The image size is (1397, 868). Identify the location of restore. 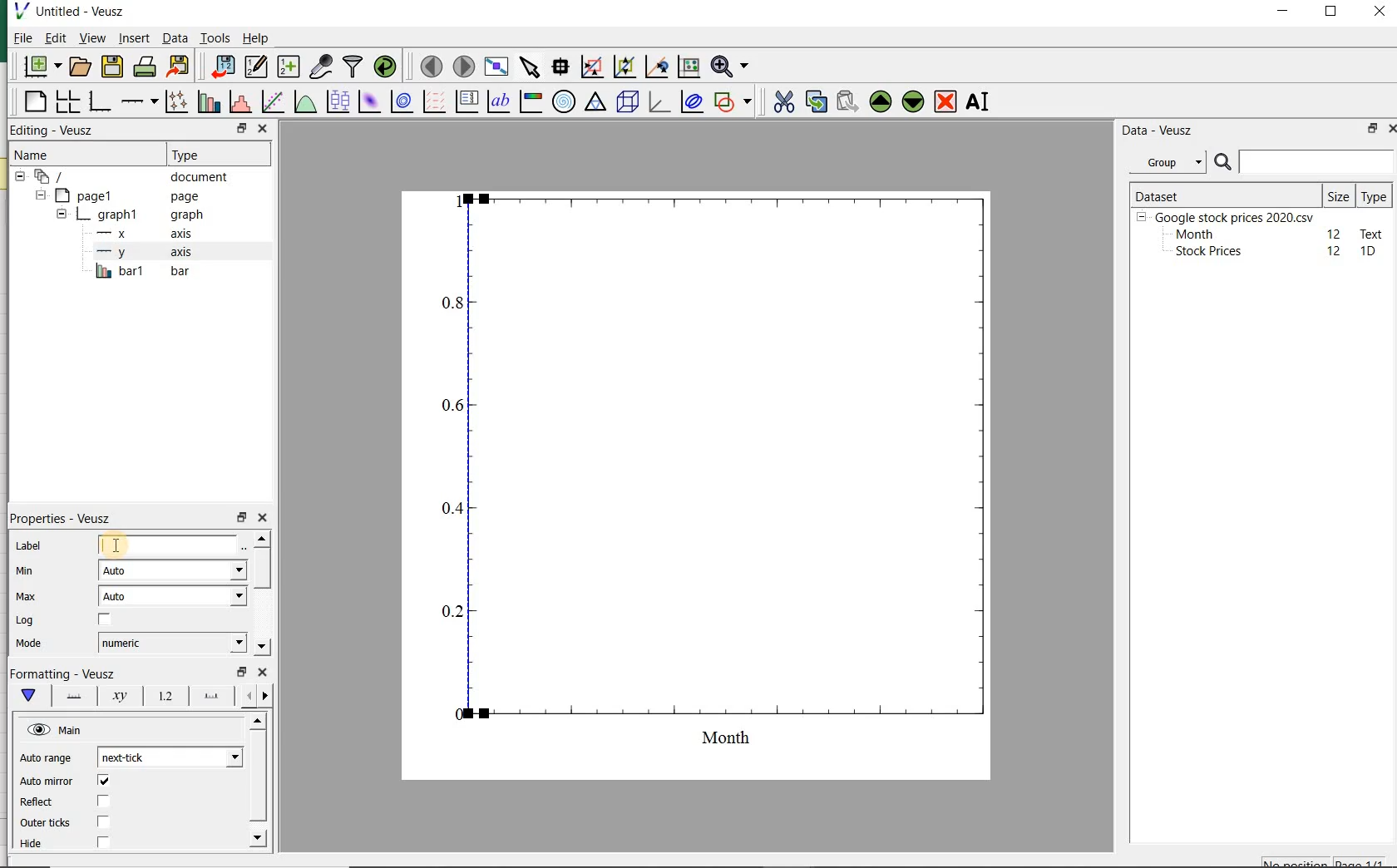
(243, 518).